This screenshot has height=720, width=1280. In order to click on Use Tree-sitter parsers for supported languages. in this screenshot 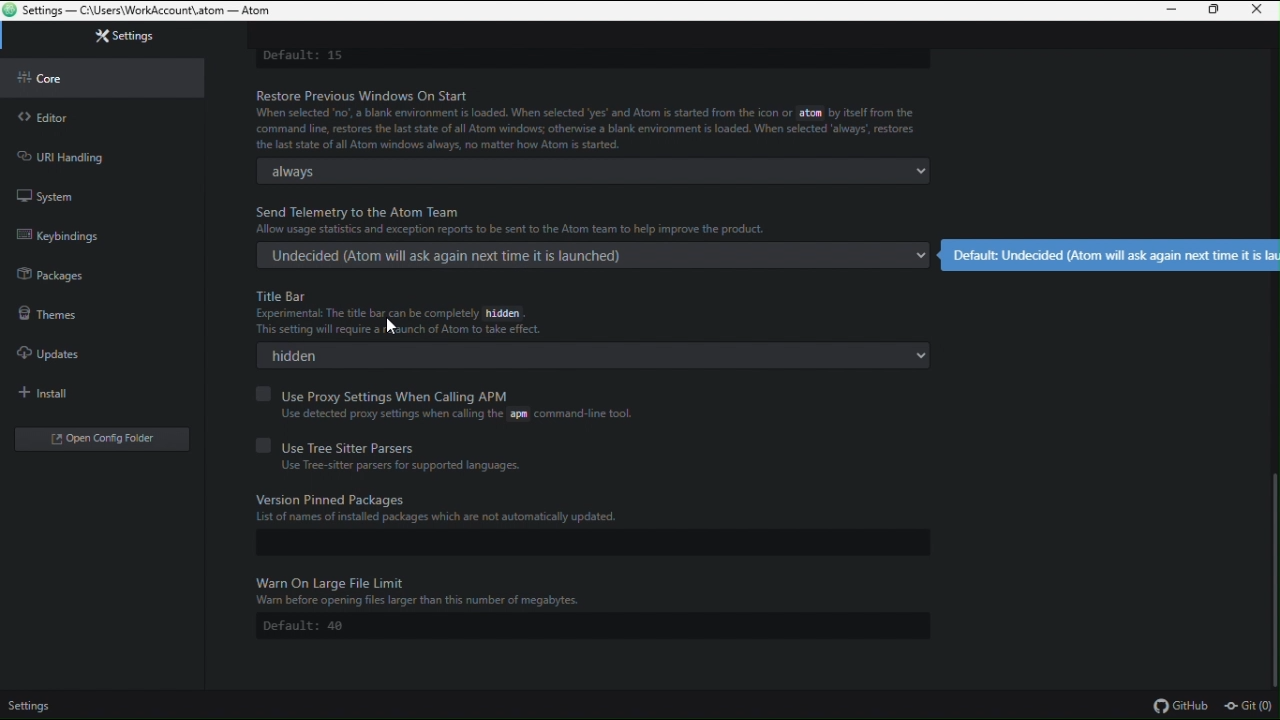, I will do `click(395, 467)`.